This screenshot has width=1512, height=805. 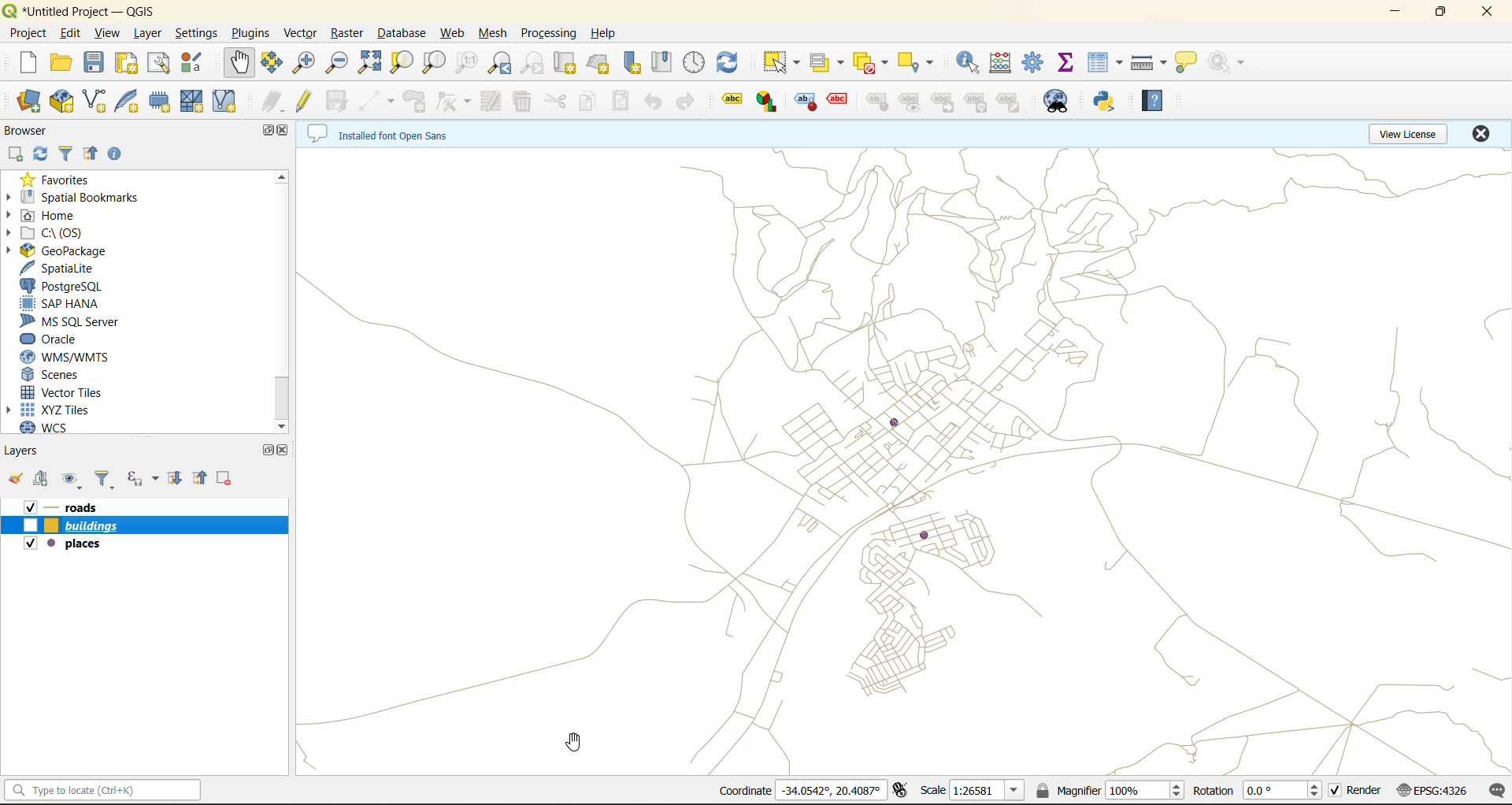 I want to click on identify features, so click(x=973, y=61).